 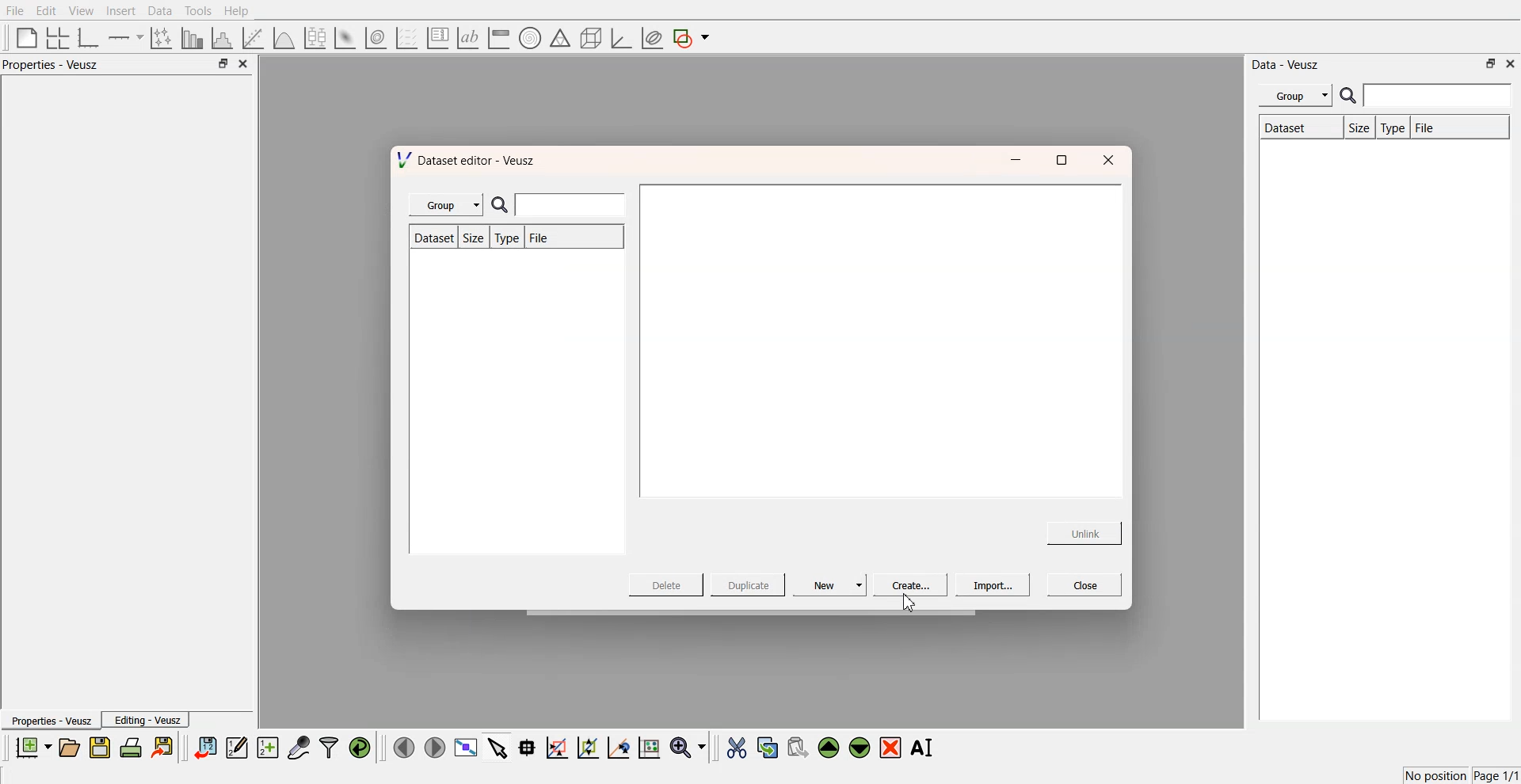 I want to click on plot a boxplot, so click(x=314, y=36).